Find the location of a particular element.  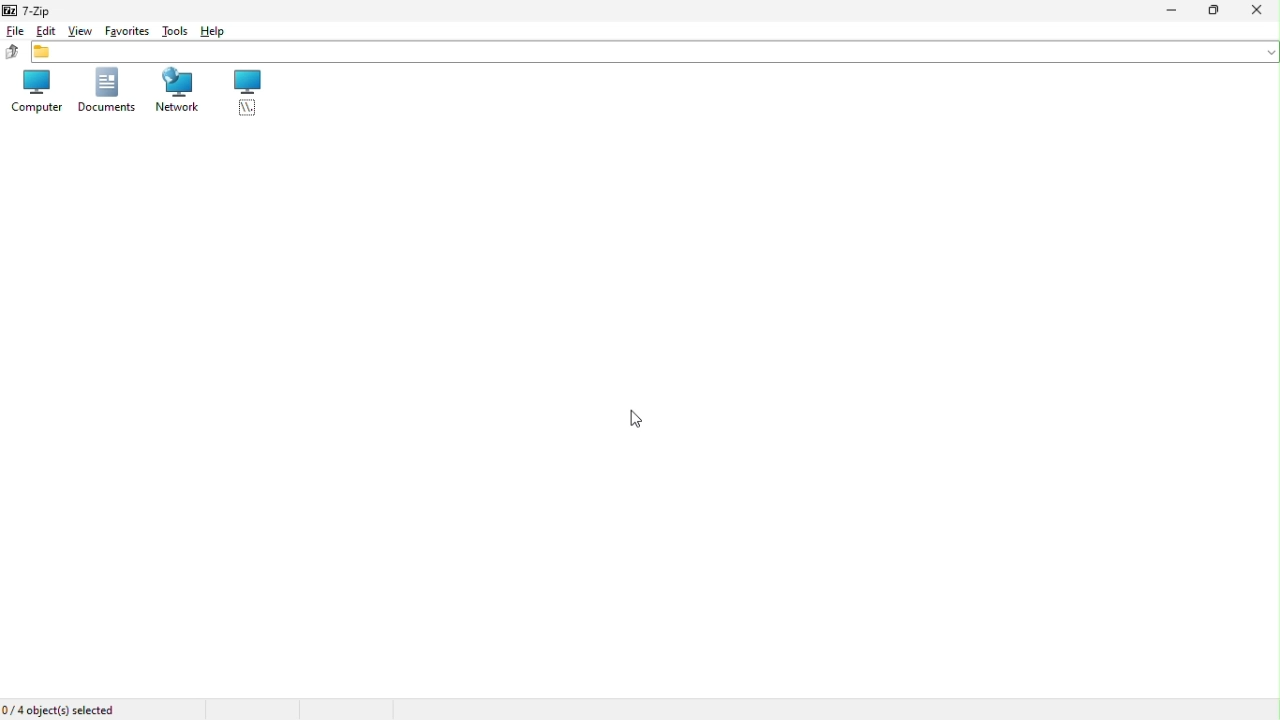

Document is located at coordinates (107, 93).